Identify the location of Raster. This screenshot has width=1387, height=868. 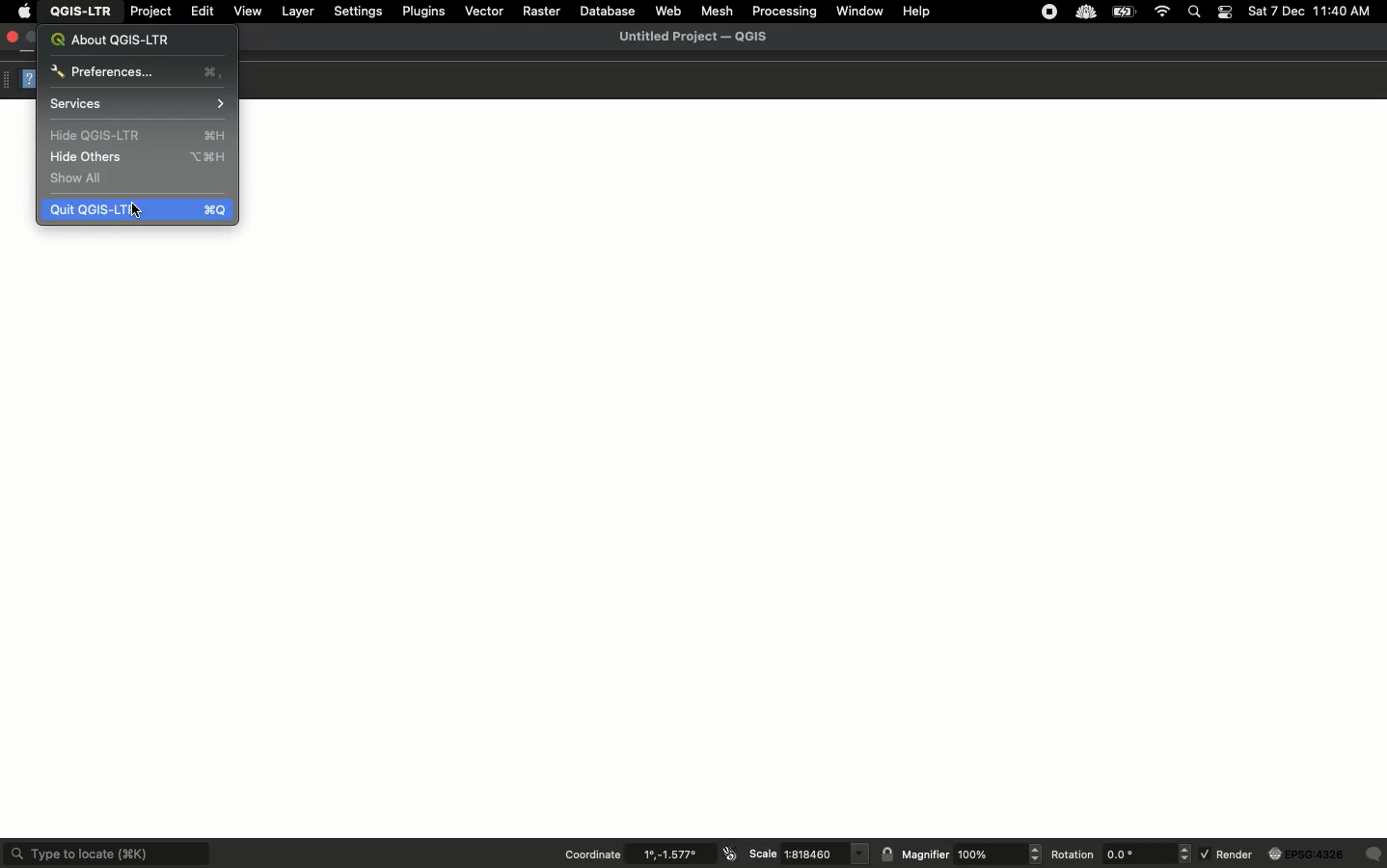
(543, 12).